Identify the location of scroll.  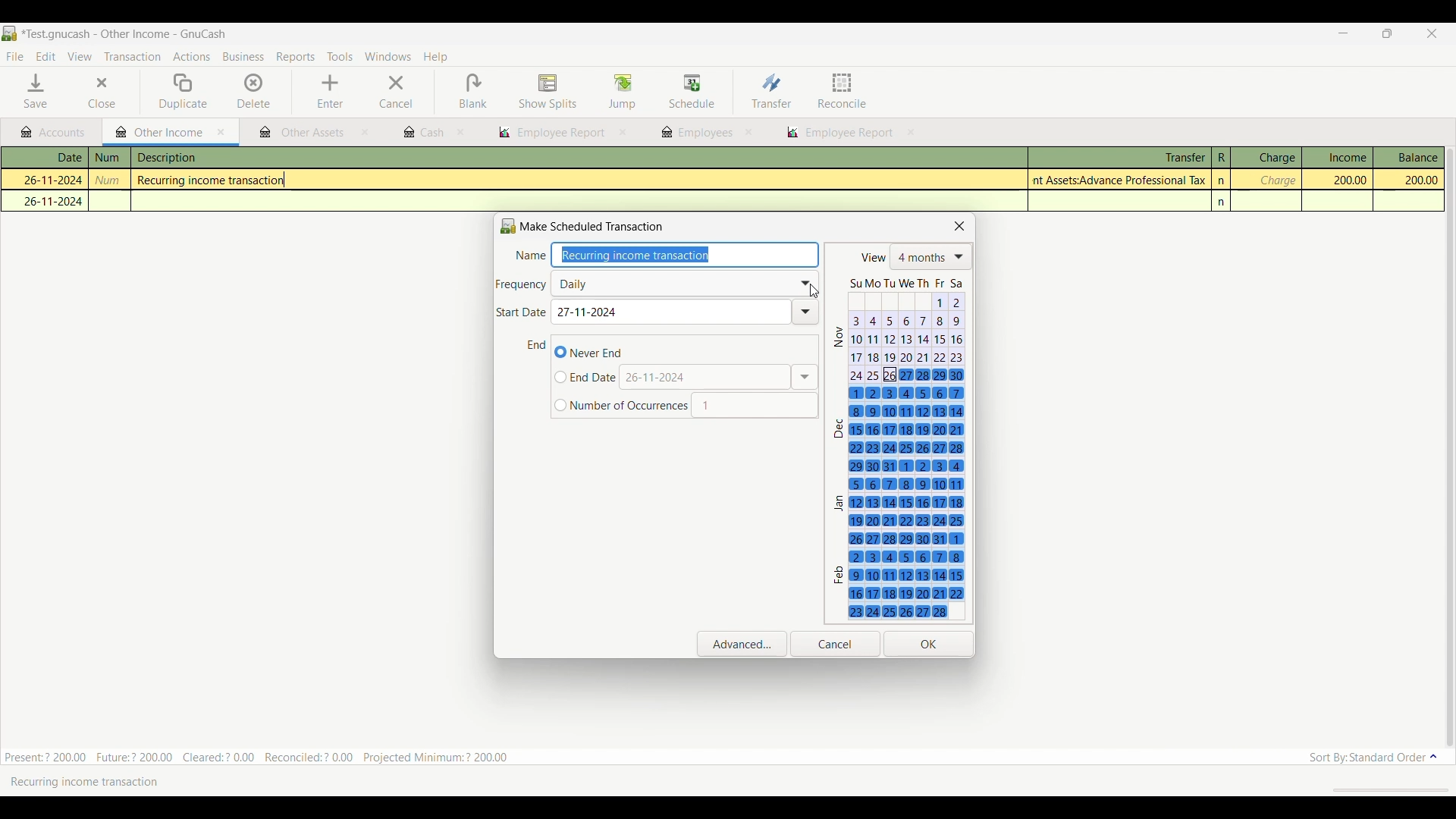
(1382, 789).